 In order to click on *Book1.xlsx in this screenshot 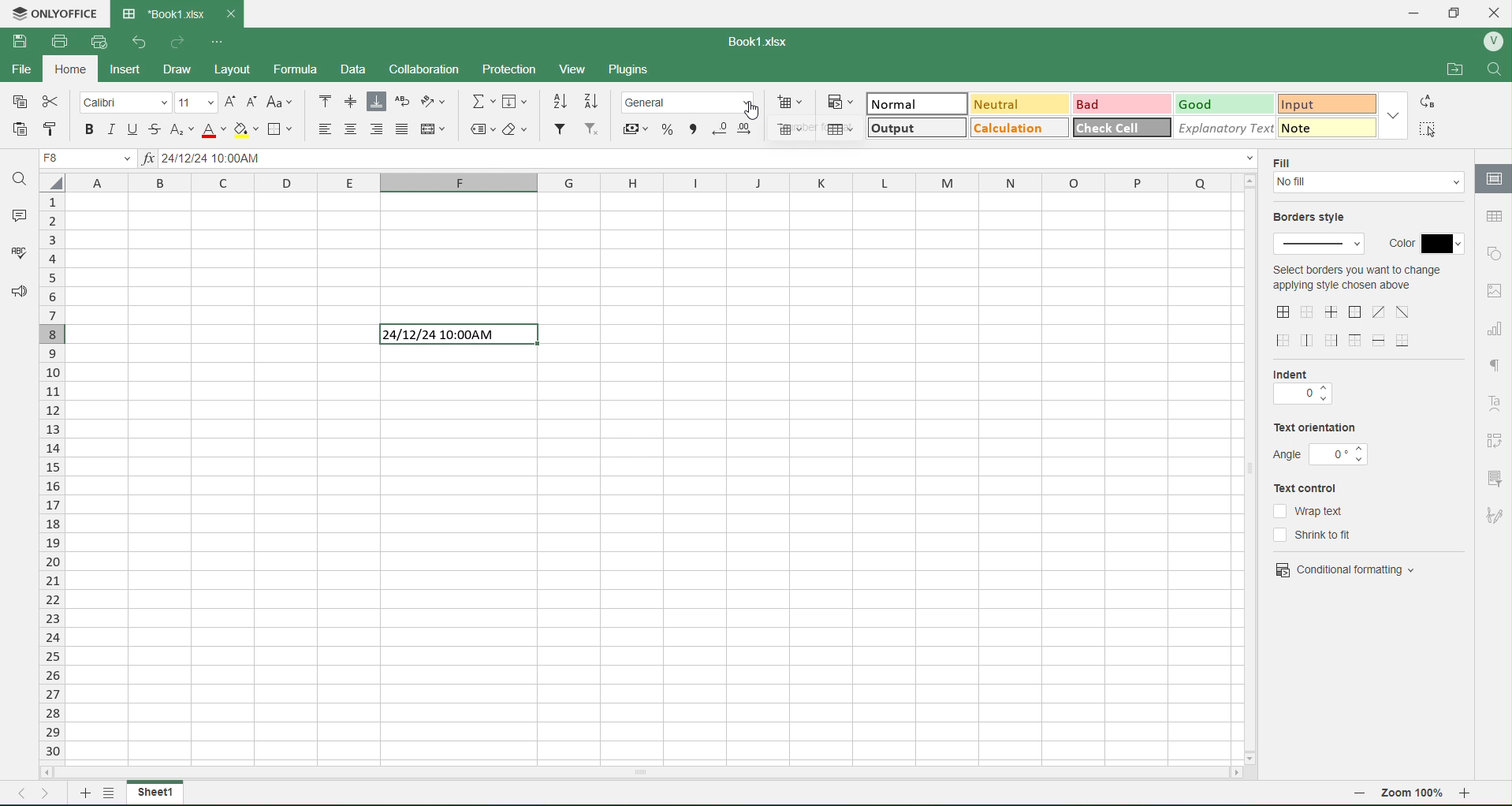, I will do `click(162, 9)`.